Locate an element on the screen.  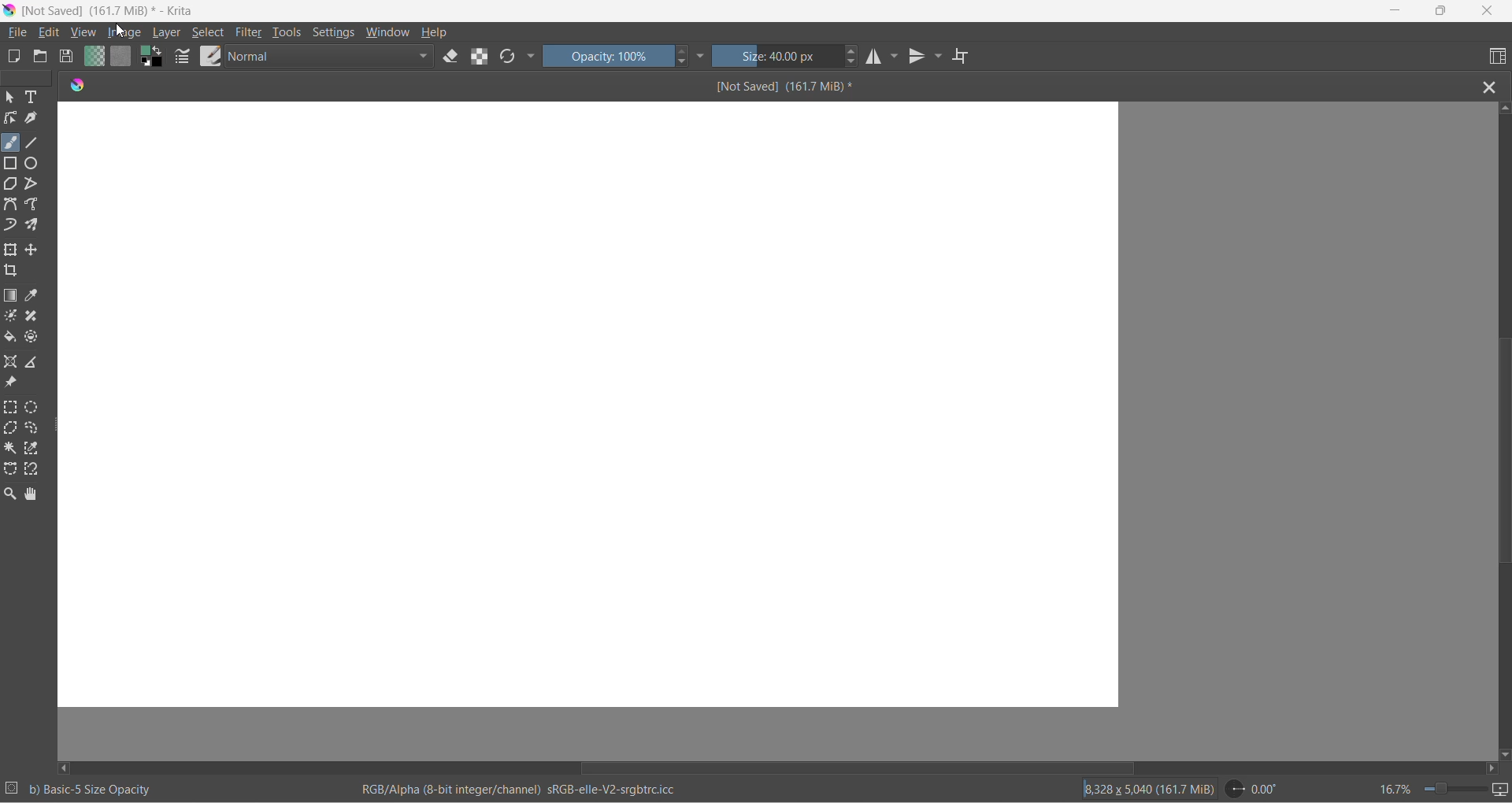
contiguous selection tool is located at coordinates (10, 447).